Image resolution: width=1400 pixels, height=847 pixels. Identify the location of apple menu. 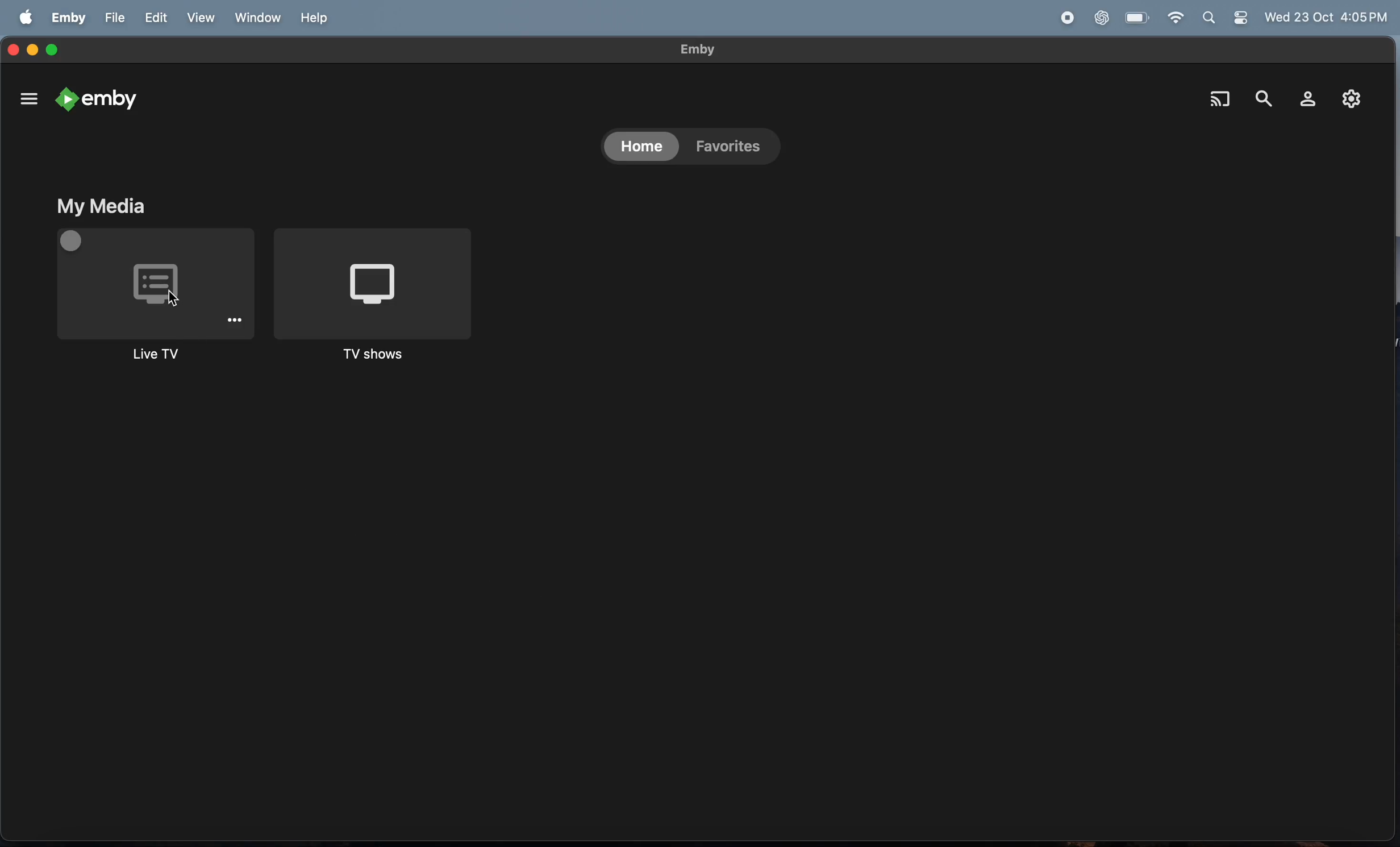
(26, 19).